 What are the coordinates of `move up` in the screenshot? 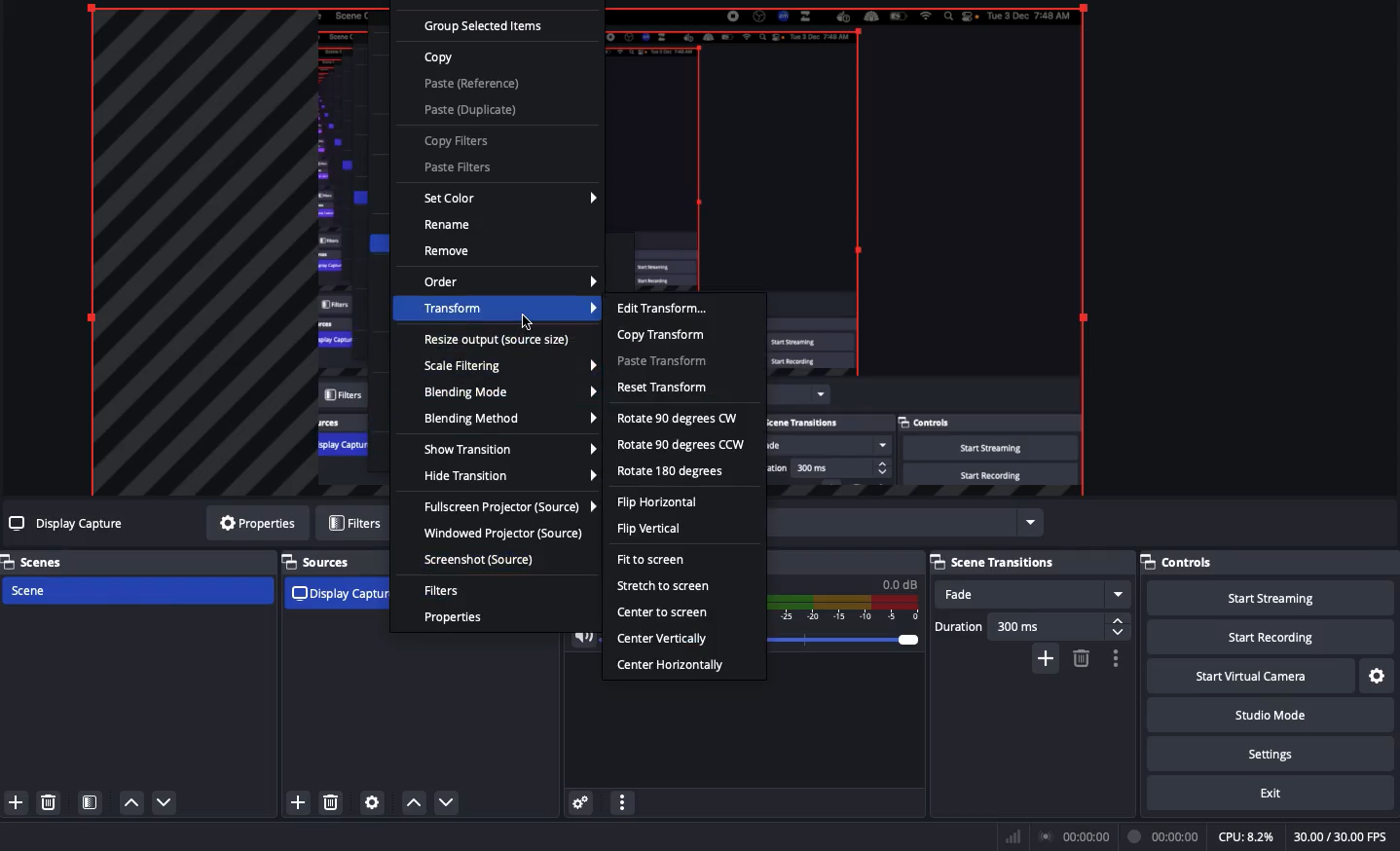 It's located at (410, 805).